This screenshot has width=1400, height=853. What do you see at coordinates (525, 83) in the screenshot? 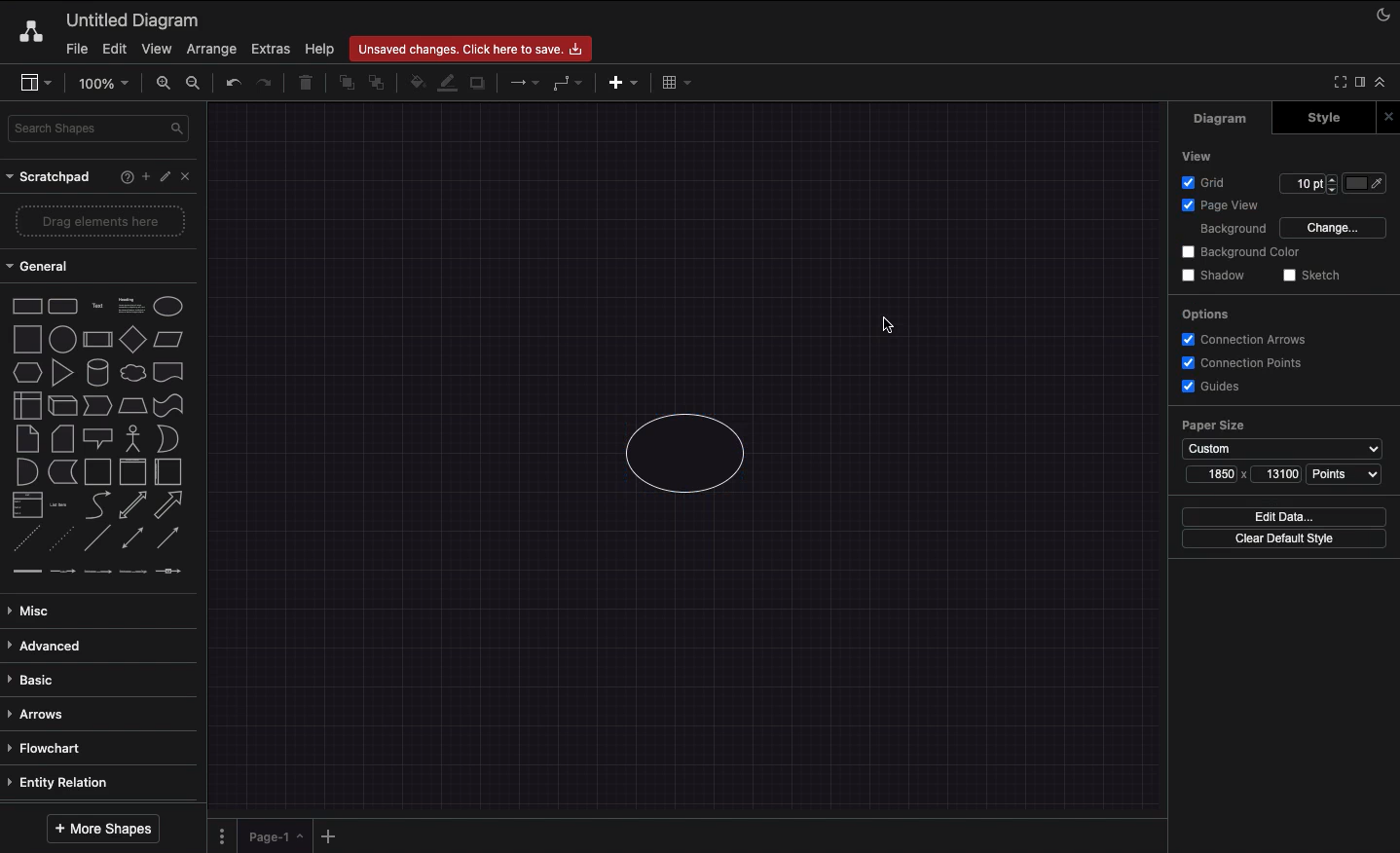
I see `Connection ` at bounding box center [525, 83].